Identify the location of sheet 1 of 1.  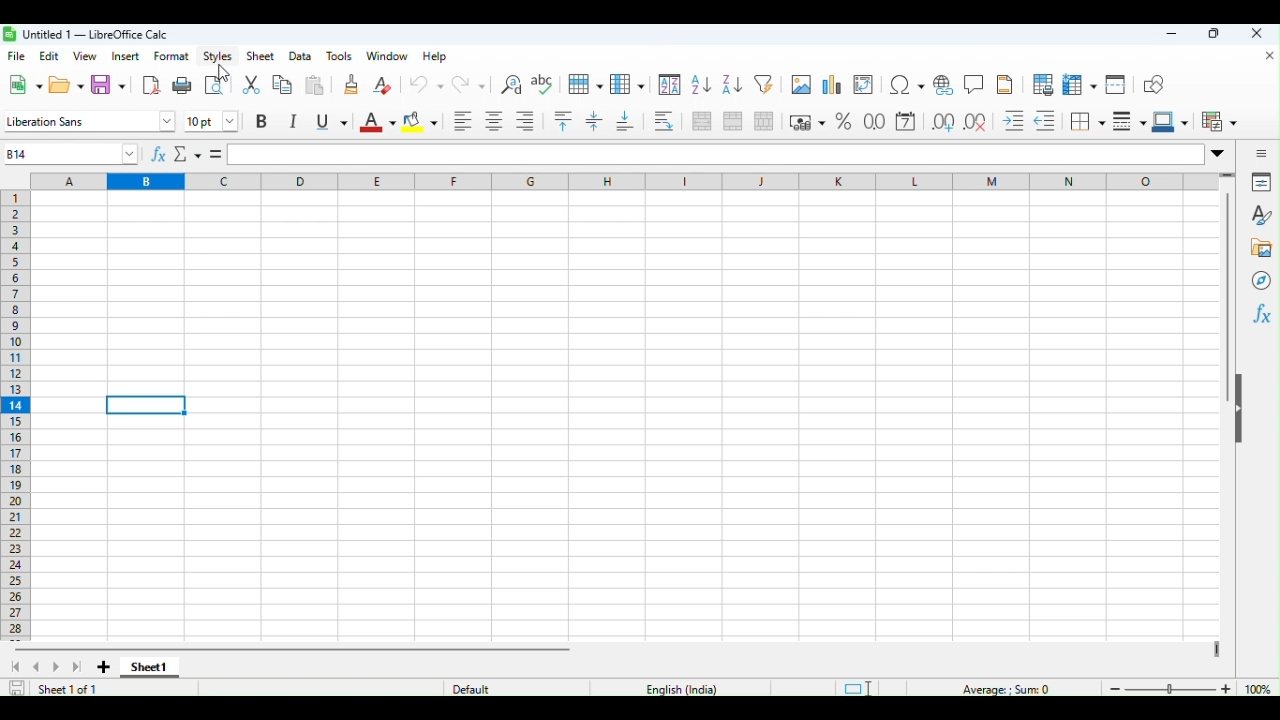
(62, 689).